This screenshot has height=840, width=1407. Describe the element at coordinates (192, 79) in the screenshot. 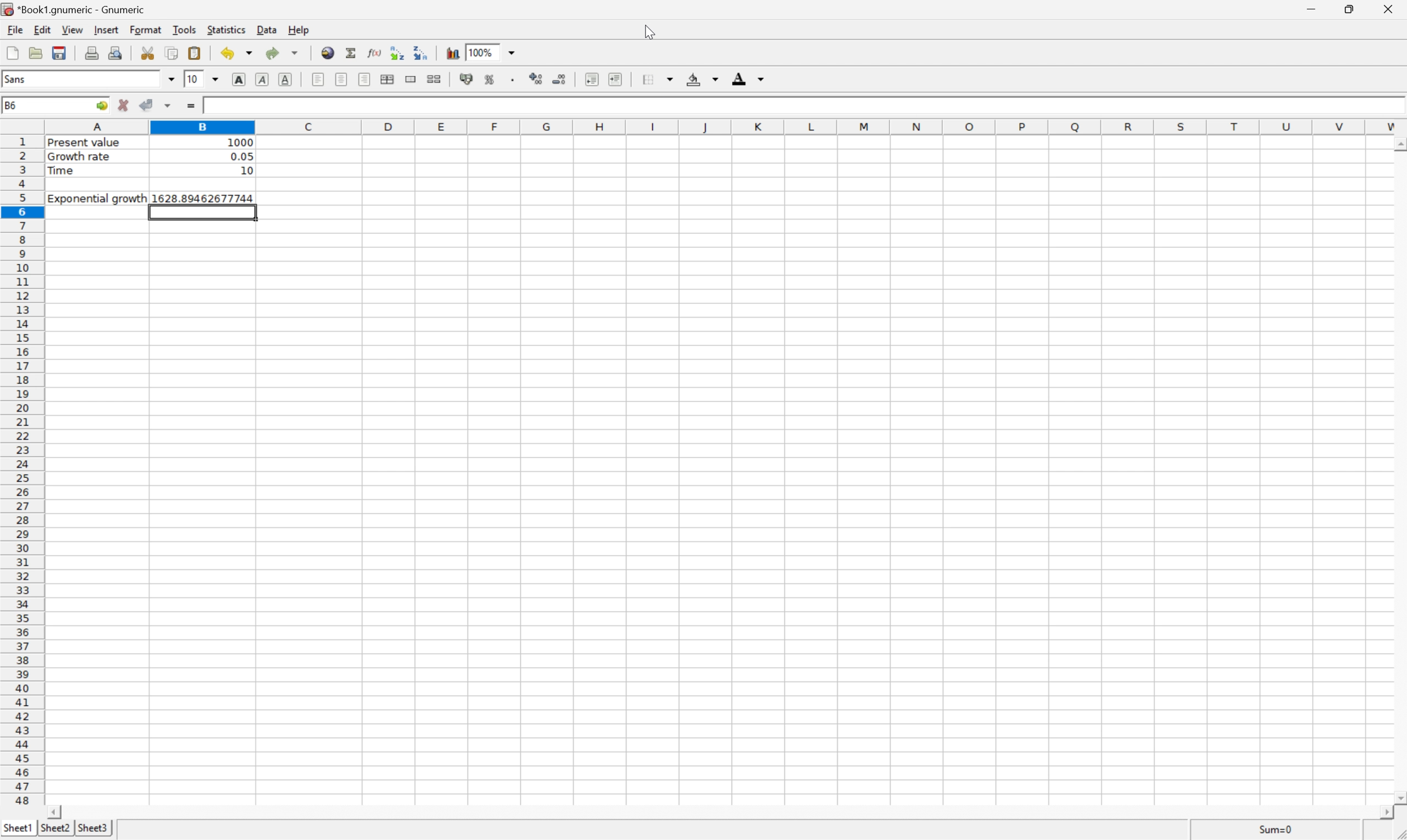

I see `10` at that location.